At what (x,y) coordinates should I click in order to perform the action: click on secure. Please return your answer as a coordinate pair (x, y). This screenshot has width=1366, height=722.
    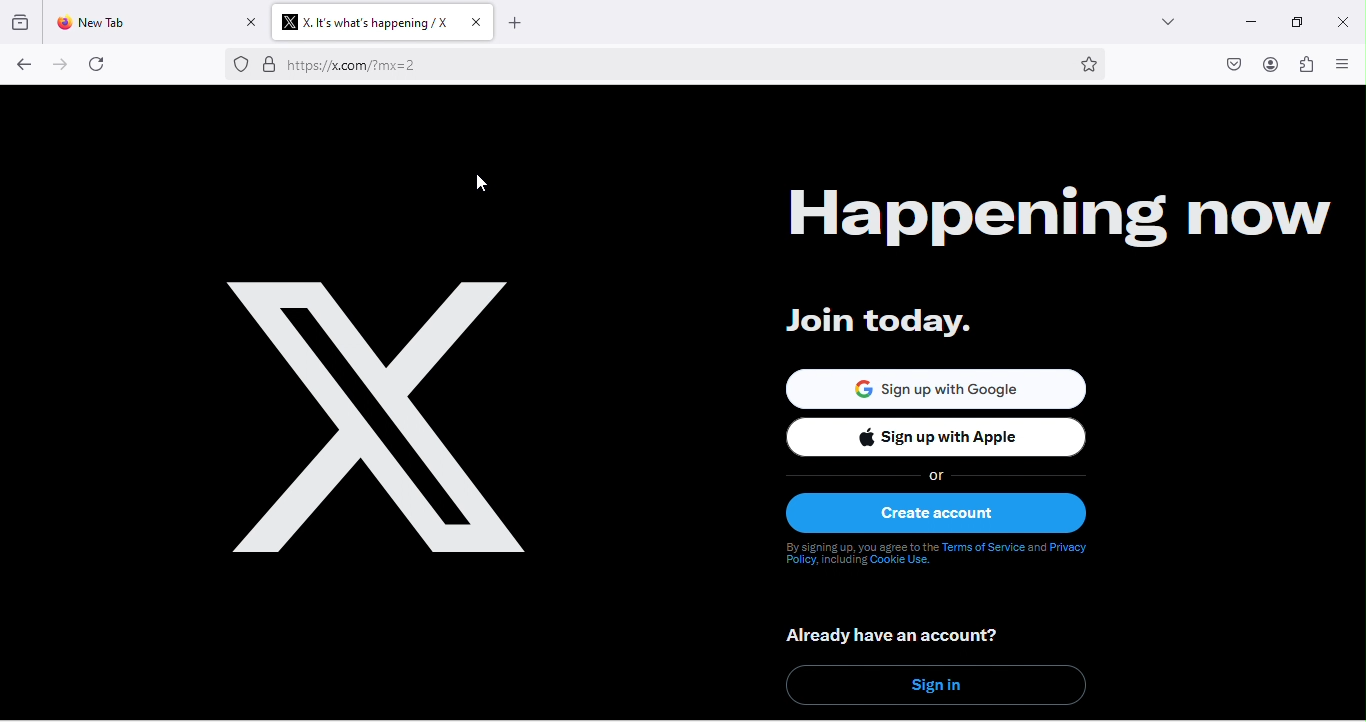
    Looking at the image, I should click on (268, 65).